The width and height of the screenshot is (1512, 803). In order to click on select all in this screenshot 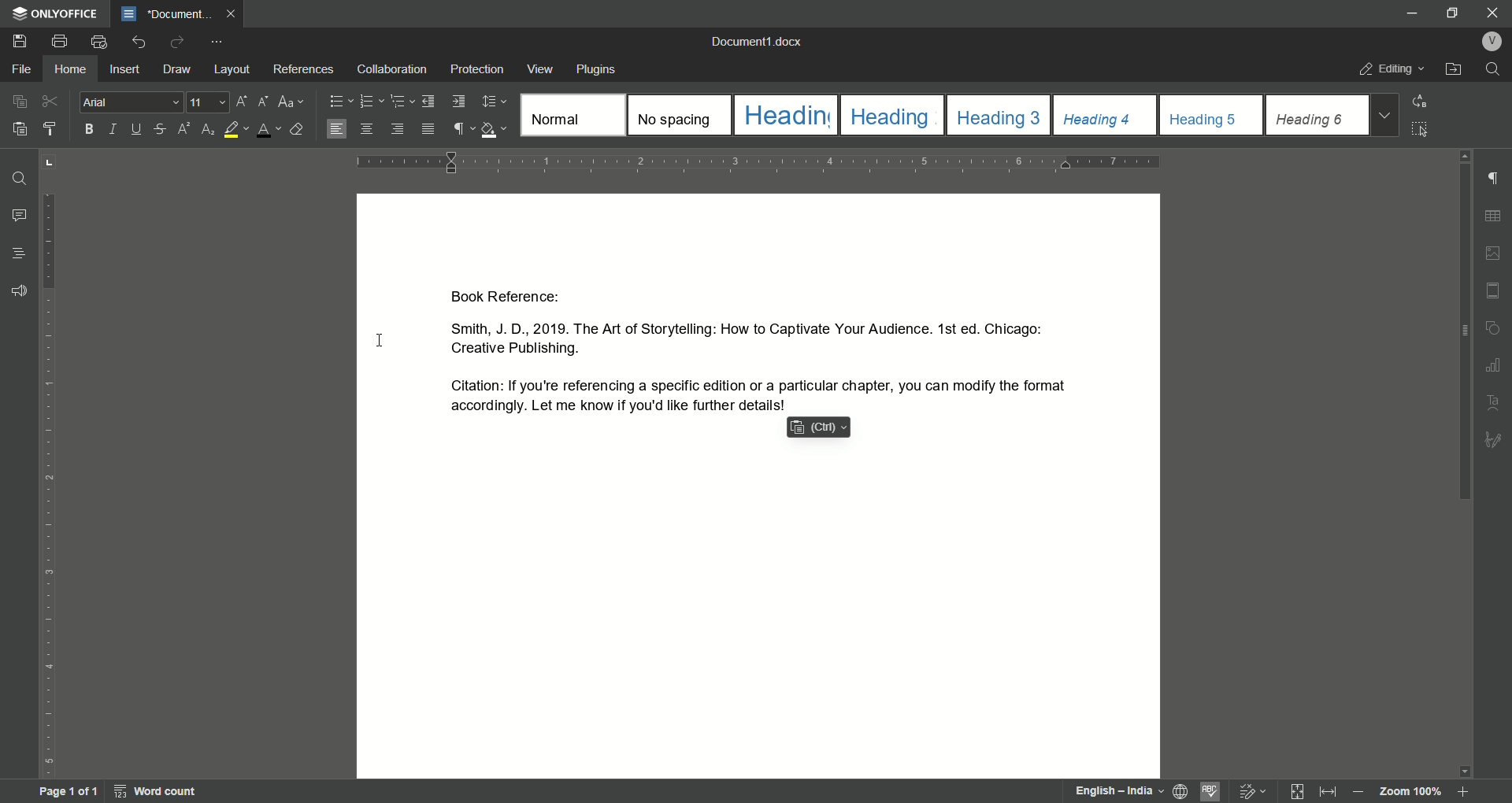, I will do `click(1421, 130)`.